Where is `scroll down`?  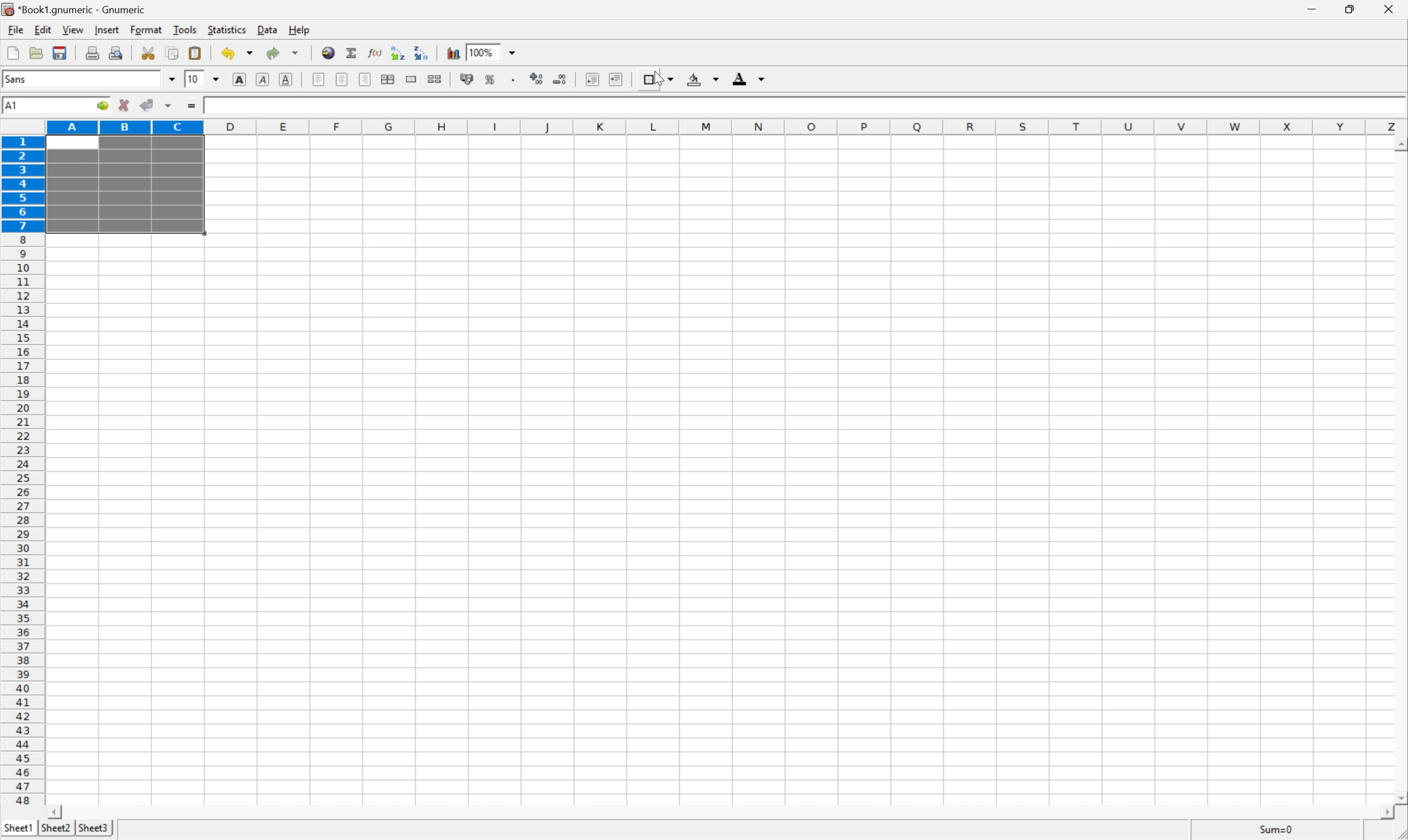 scroll down is located at coordinates (1399, 799).